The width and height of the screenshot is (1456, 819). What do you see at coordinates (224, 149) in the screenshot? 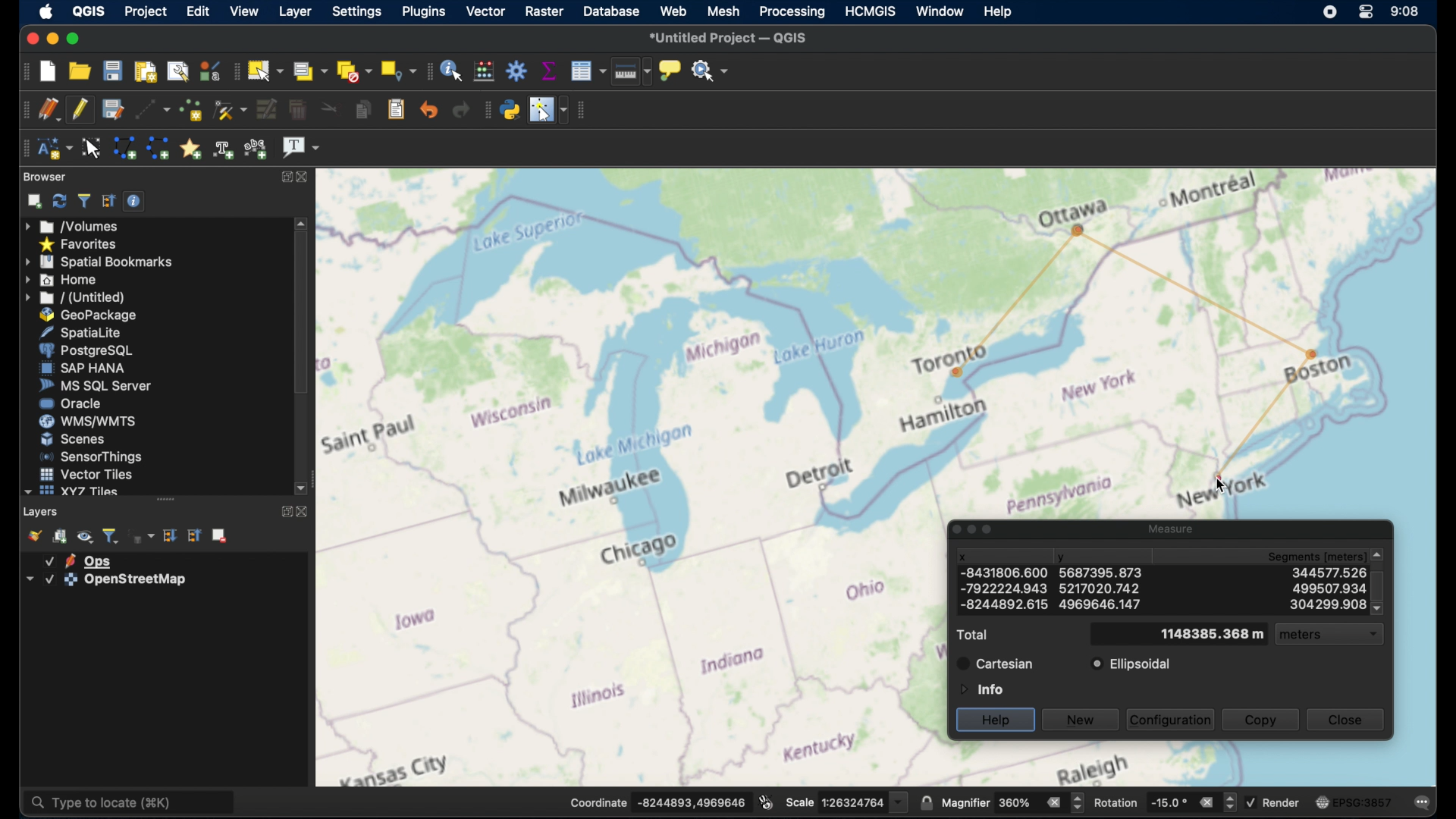
I see `create text annotation along line` at bounding box center [224, 149].